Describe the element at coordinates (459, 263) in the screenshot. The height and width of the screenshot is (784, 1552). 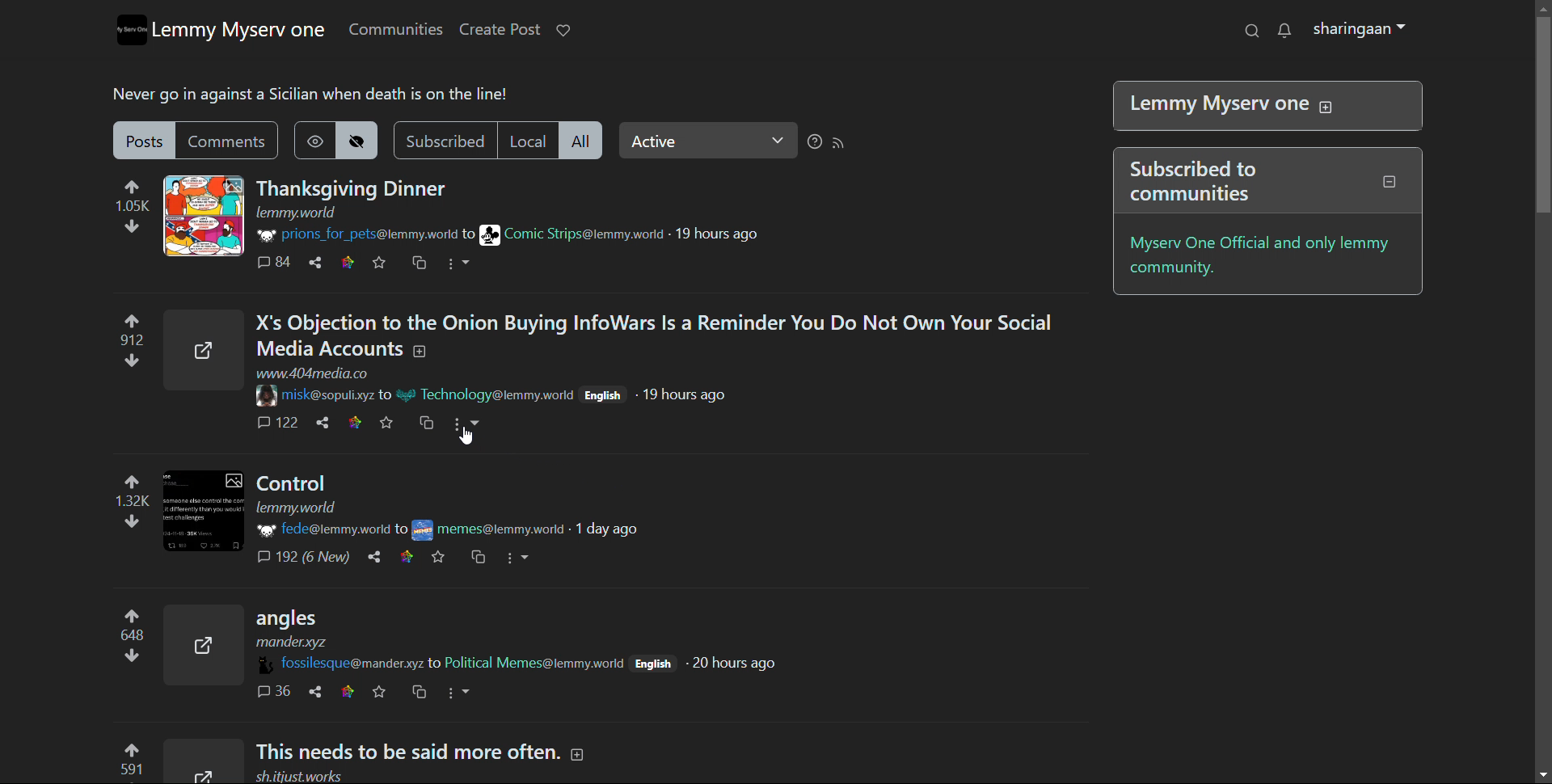
I see `options` at that location.